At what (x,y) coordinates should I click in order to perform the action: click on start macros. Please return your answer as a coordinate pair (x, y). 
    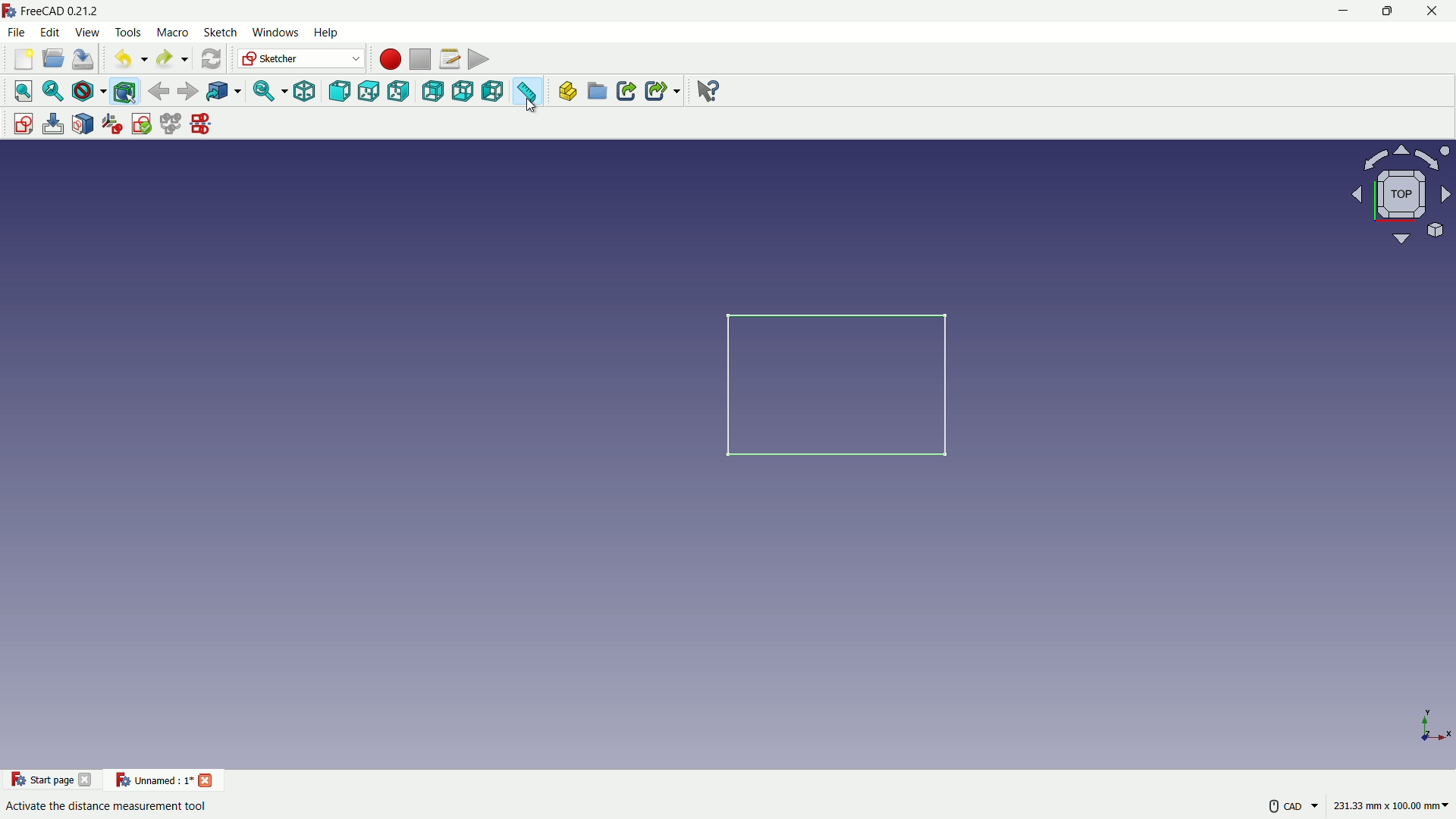
    Looking at the image, I should click on (388, 58).